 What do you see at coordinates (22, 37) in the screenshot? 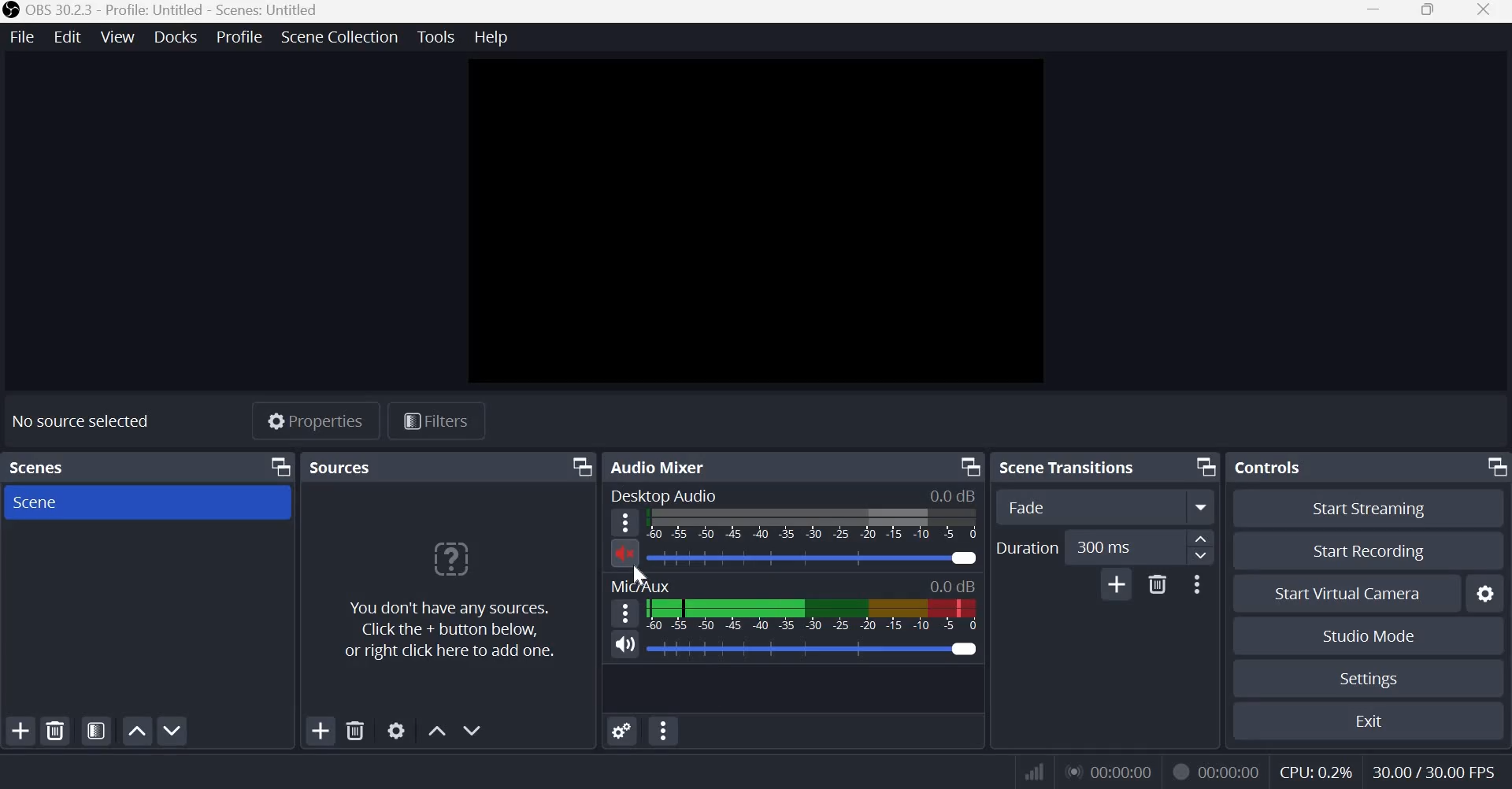
I see `File` at bounding box center [22, 37].